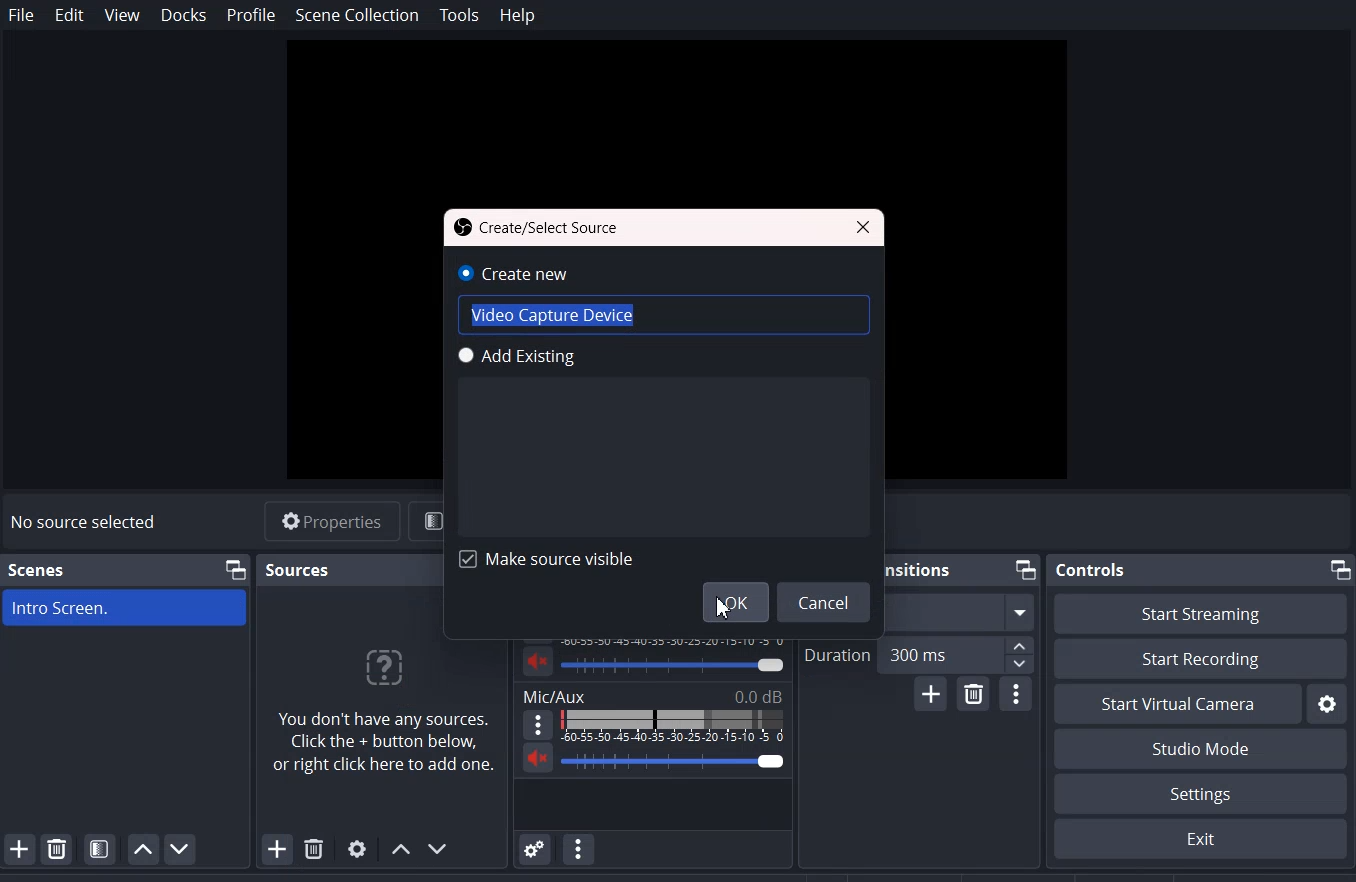 This screenshot has width=1356, height=882. Describe the element at coordinates (539, 760) in the screenshot. I see `Mute` at that location.